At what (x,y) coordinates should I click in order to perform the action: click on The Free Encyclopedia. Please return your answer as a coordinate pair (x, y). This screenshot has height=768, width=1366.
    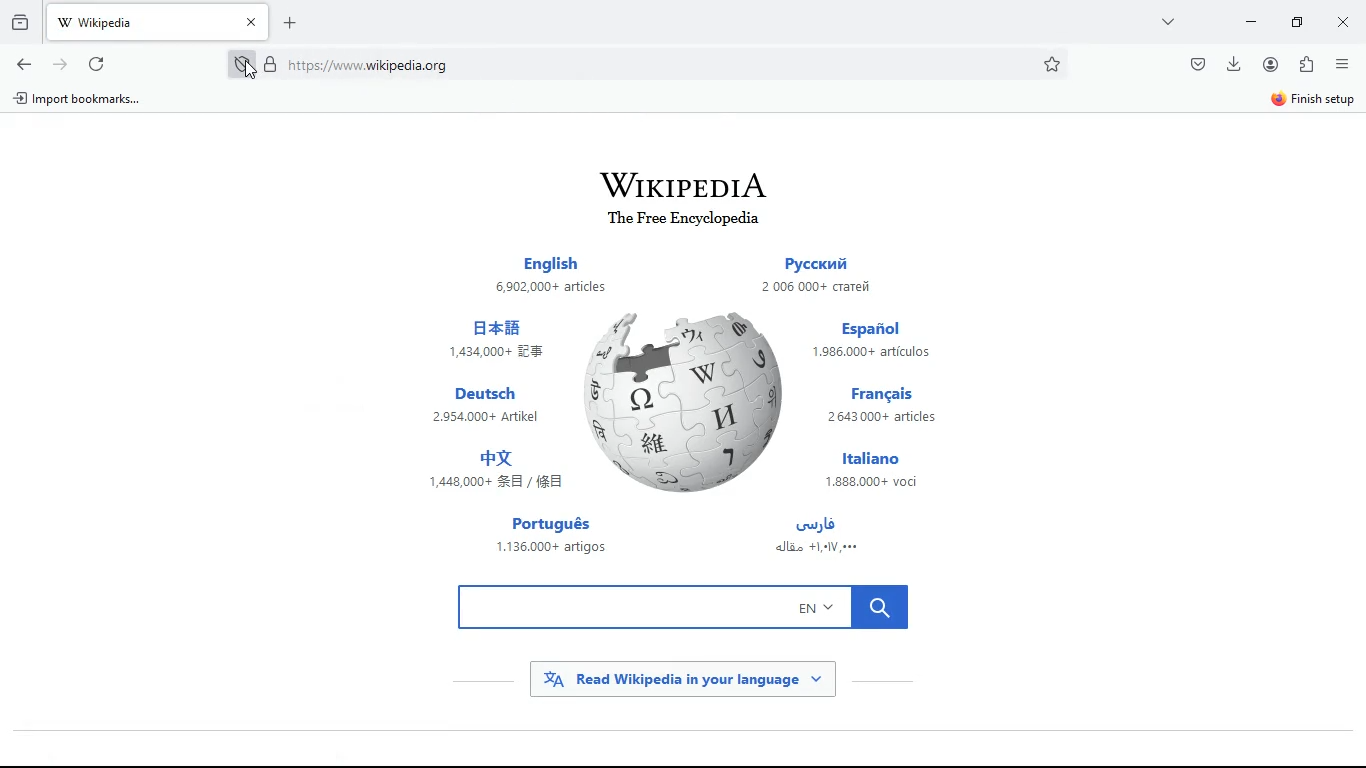
    Looking at the image, I should click on (684, 222).